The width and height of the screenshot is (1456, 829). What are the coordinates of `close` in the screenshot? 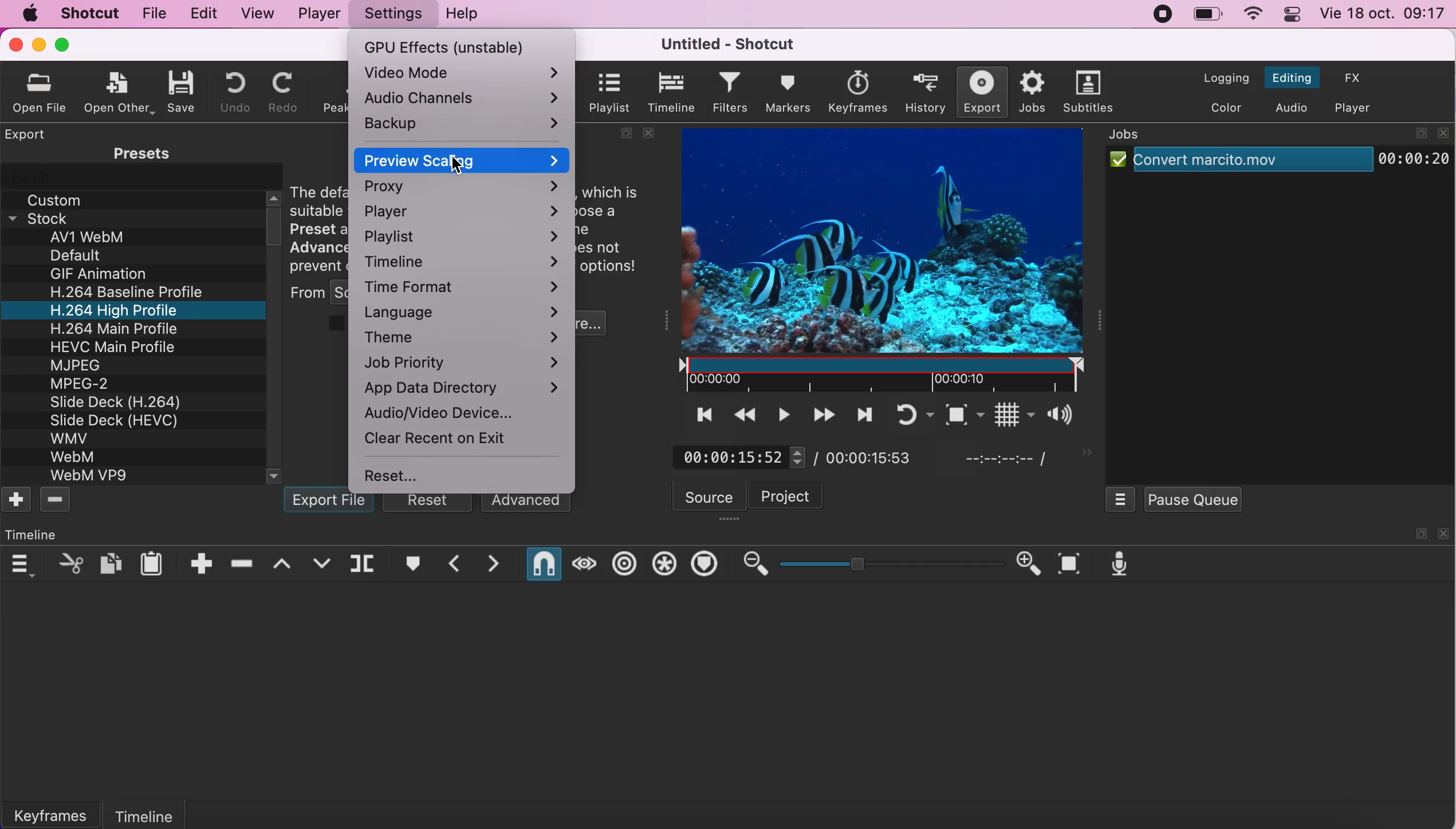 It's located at (654, 133).